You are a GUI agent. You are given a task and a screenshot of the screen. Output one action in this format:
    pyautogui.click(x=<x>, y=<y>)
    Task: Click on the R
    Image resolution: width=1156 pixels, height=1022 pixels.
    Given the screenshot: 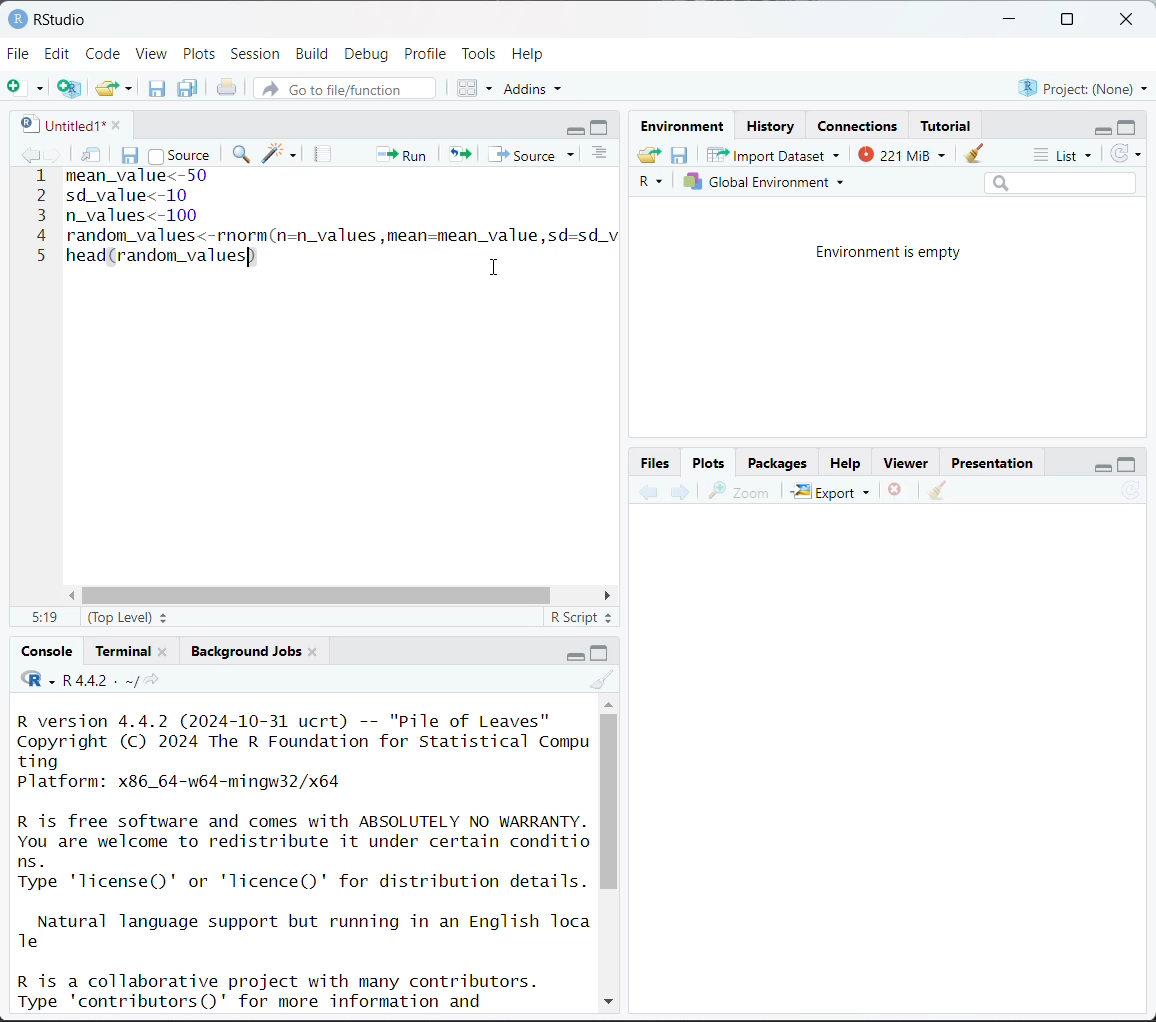 What is the action you would take?
    pyautogui.click(x=654, y=183)
    